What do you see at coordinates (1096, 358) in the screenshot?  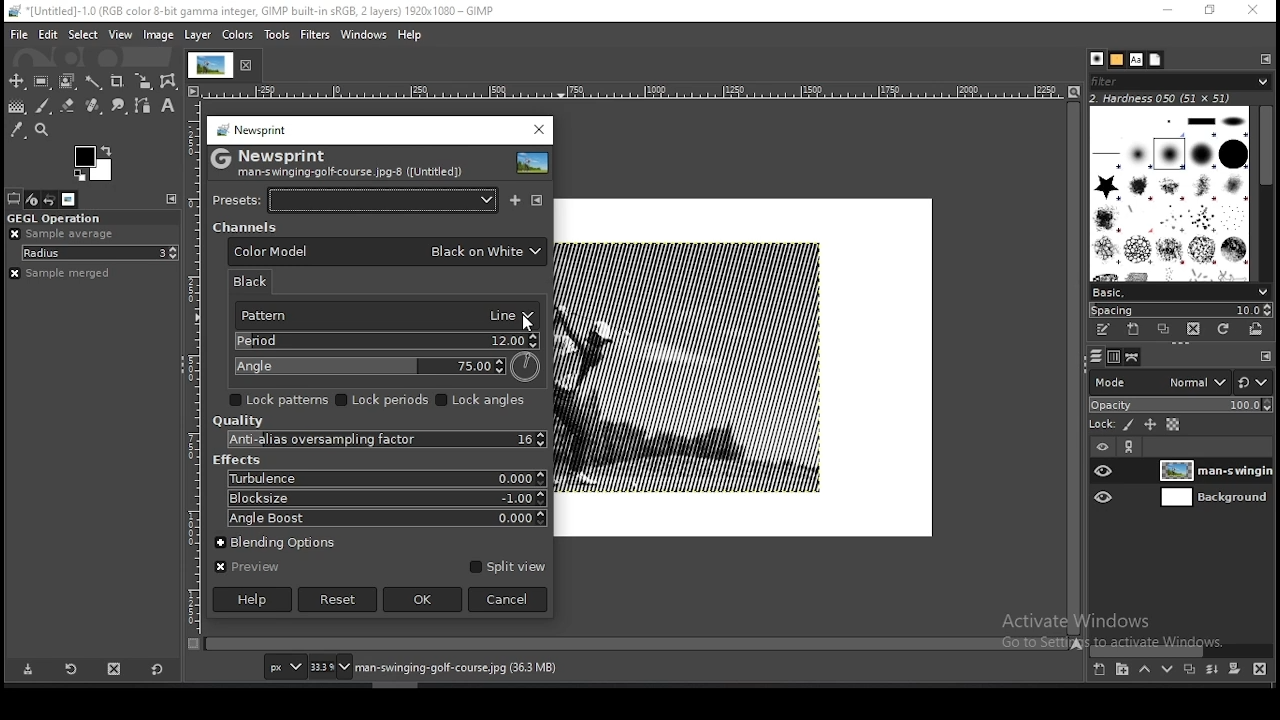 I see `layers` at bounding box center [1096, 358].